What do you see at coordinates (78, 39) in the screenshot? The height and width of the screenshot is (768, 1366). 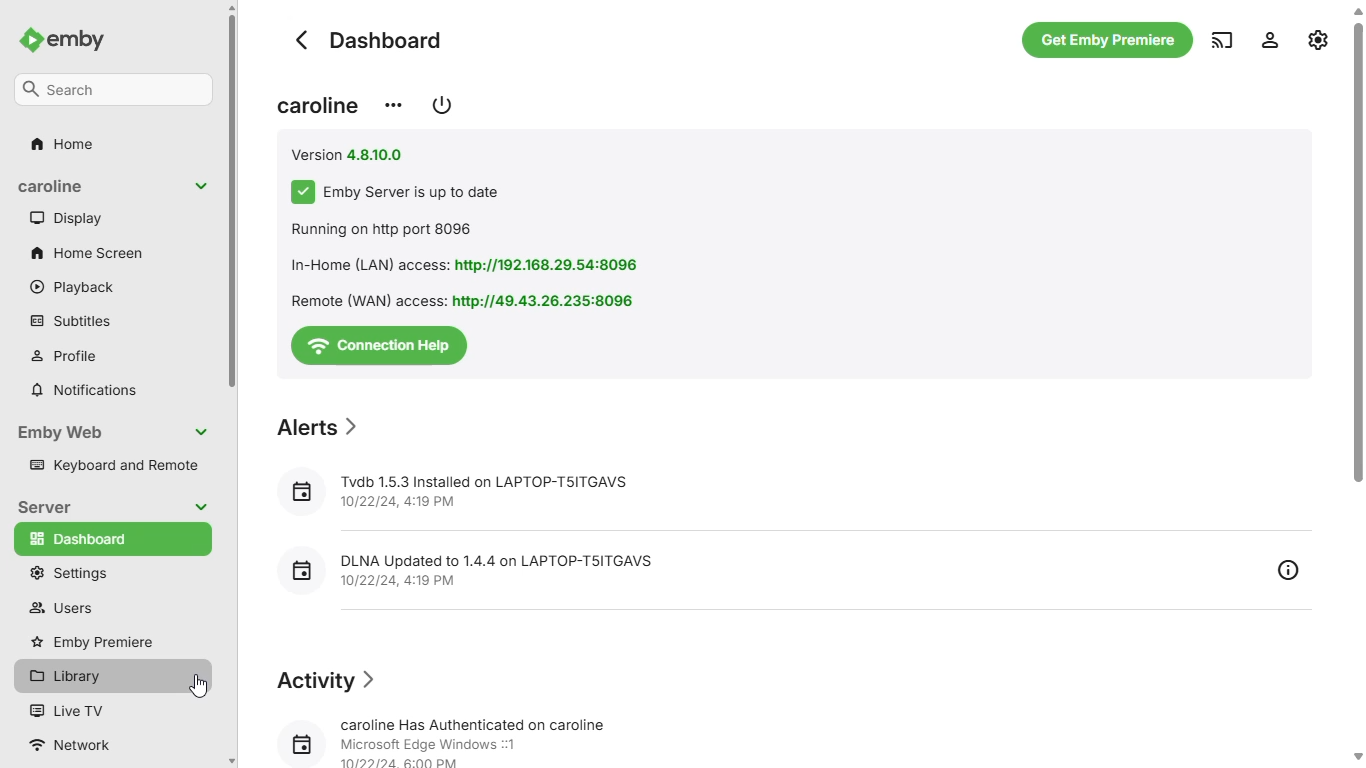 I see `emby` at bounding box center [78, 39].